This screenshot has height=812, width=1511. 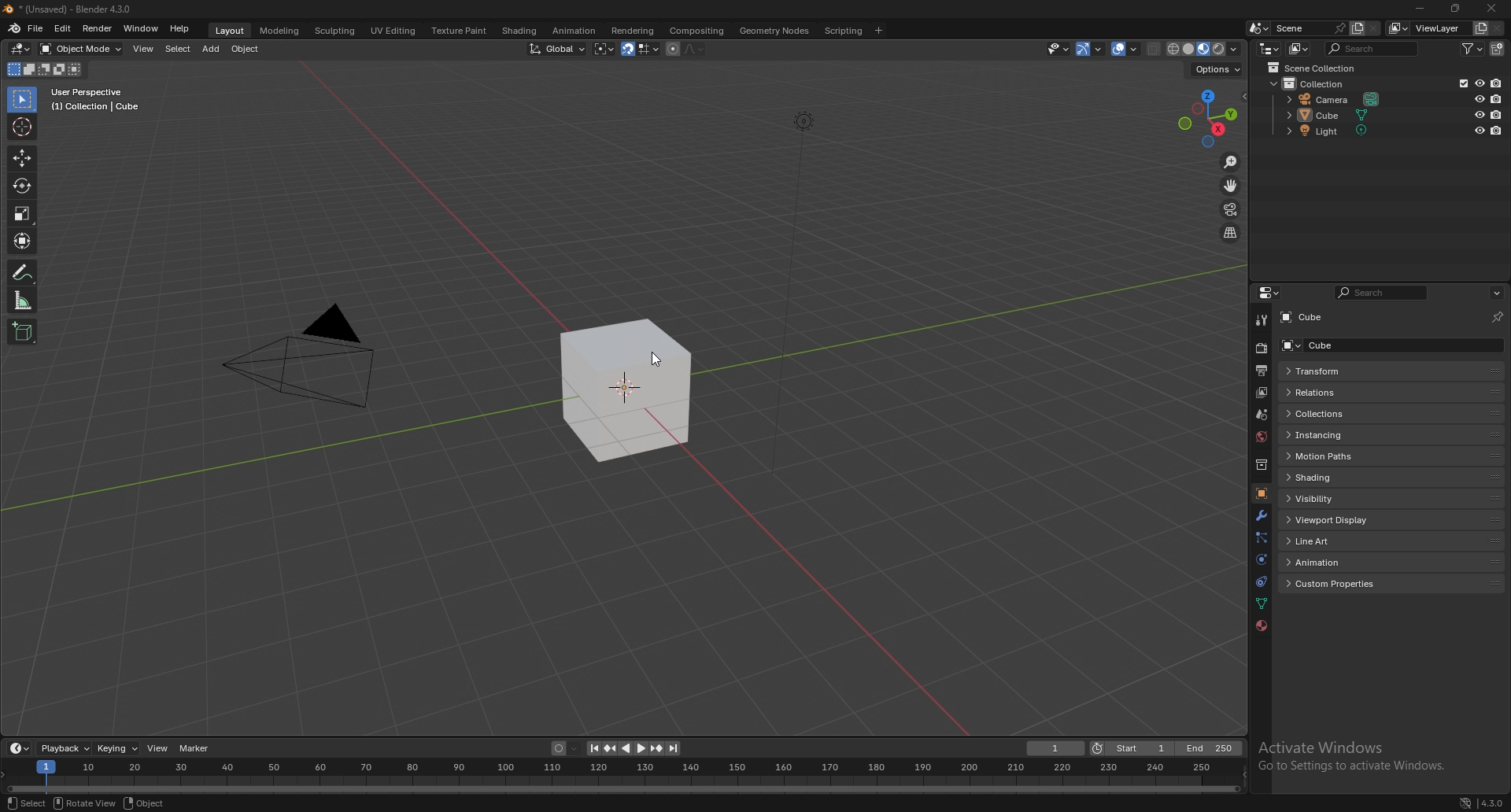 What do you see at coordinates (1355, 28) in the screenshot?
I see `add scene` at bounding box center [1355, 28].